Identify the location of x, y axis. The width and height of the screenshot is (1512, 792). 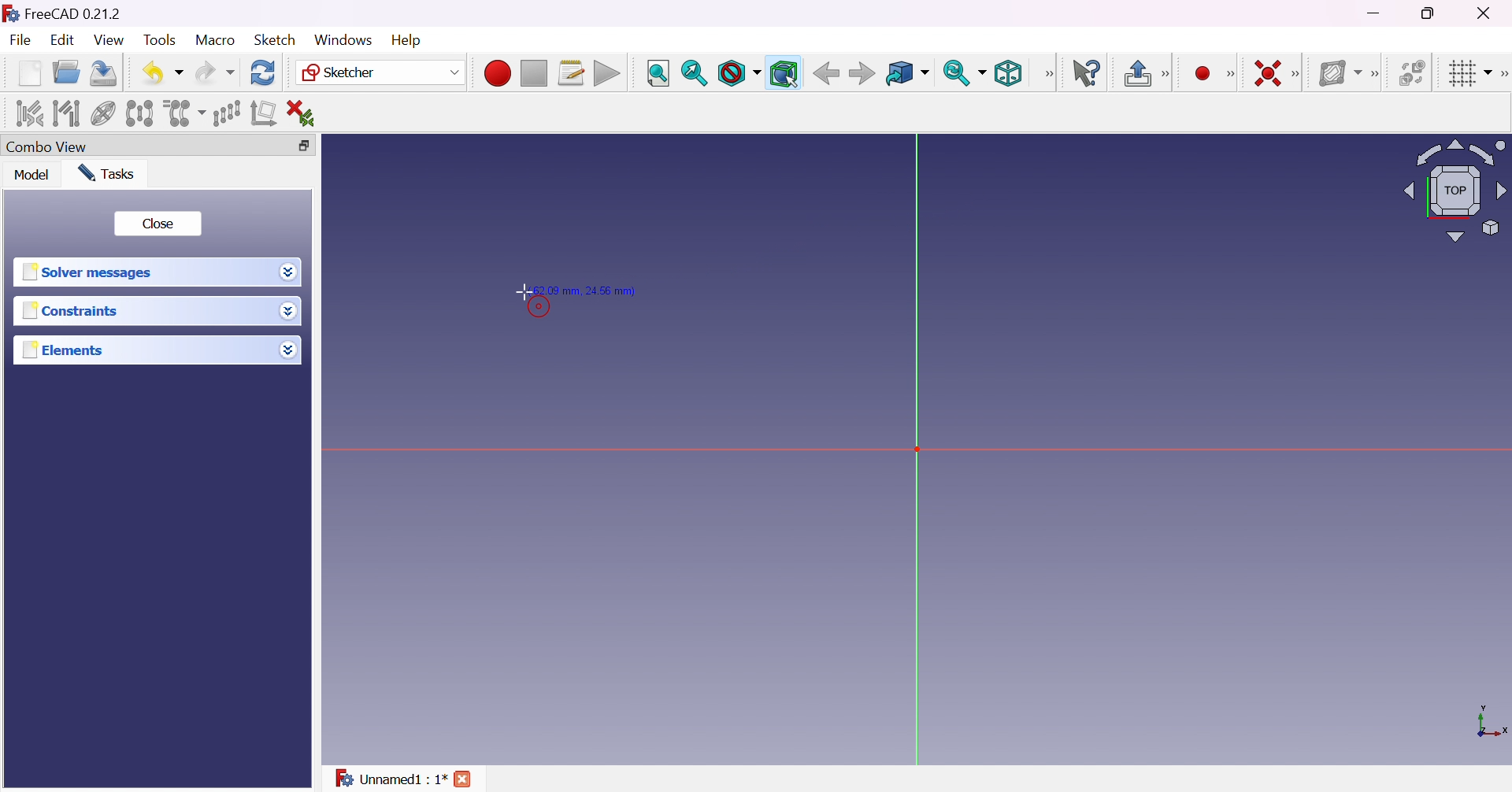
(1490, 723).